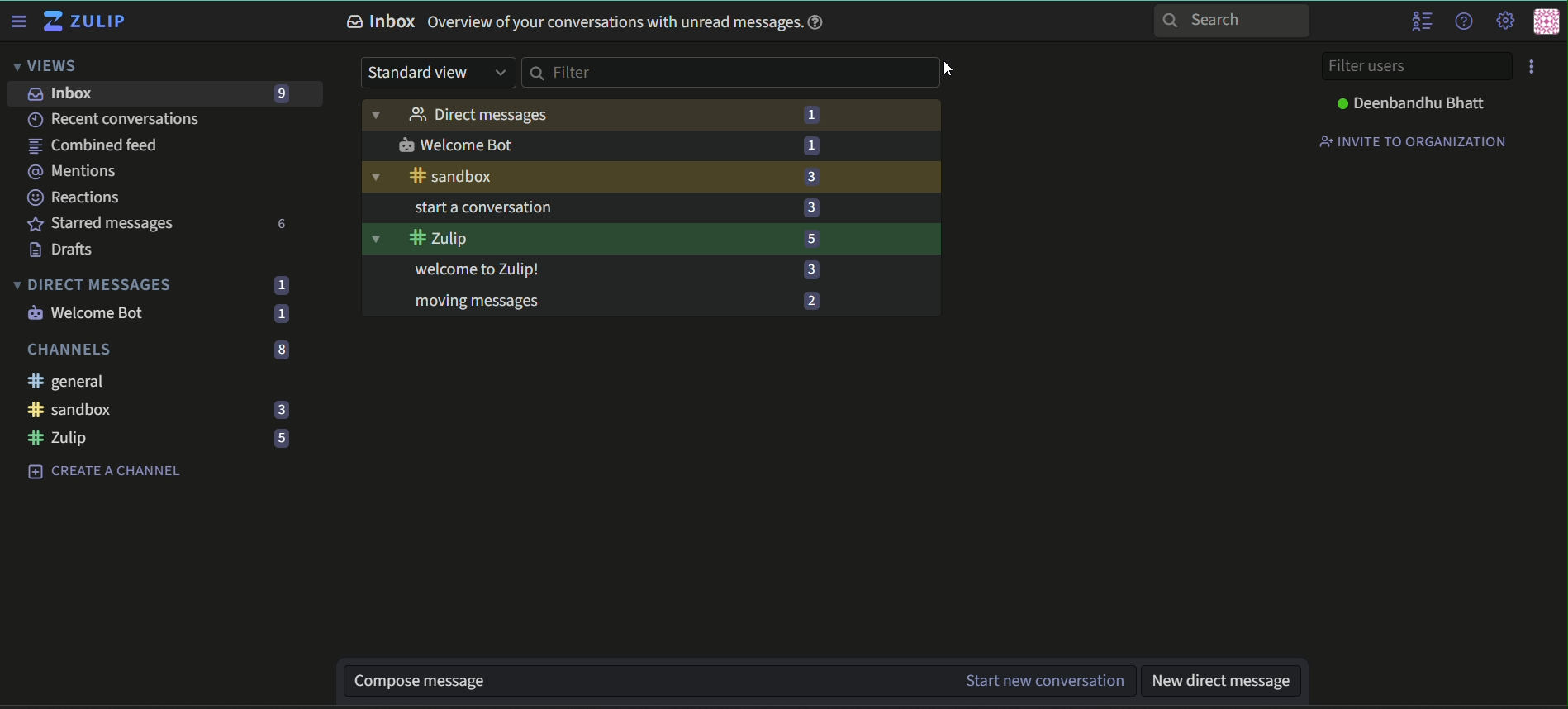  I want to click on search bar, so click(731, 74).